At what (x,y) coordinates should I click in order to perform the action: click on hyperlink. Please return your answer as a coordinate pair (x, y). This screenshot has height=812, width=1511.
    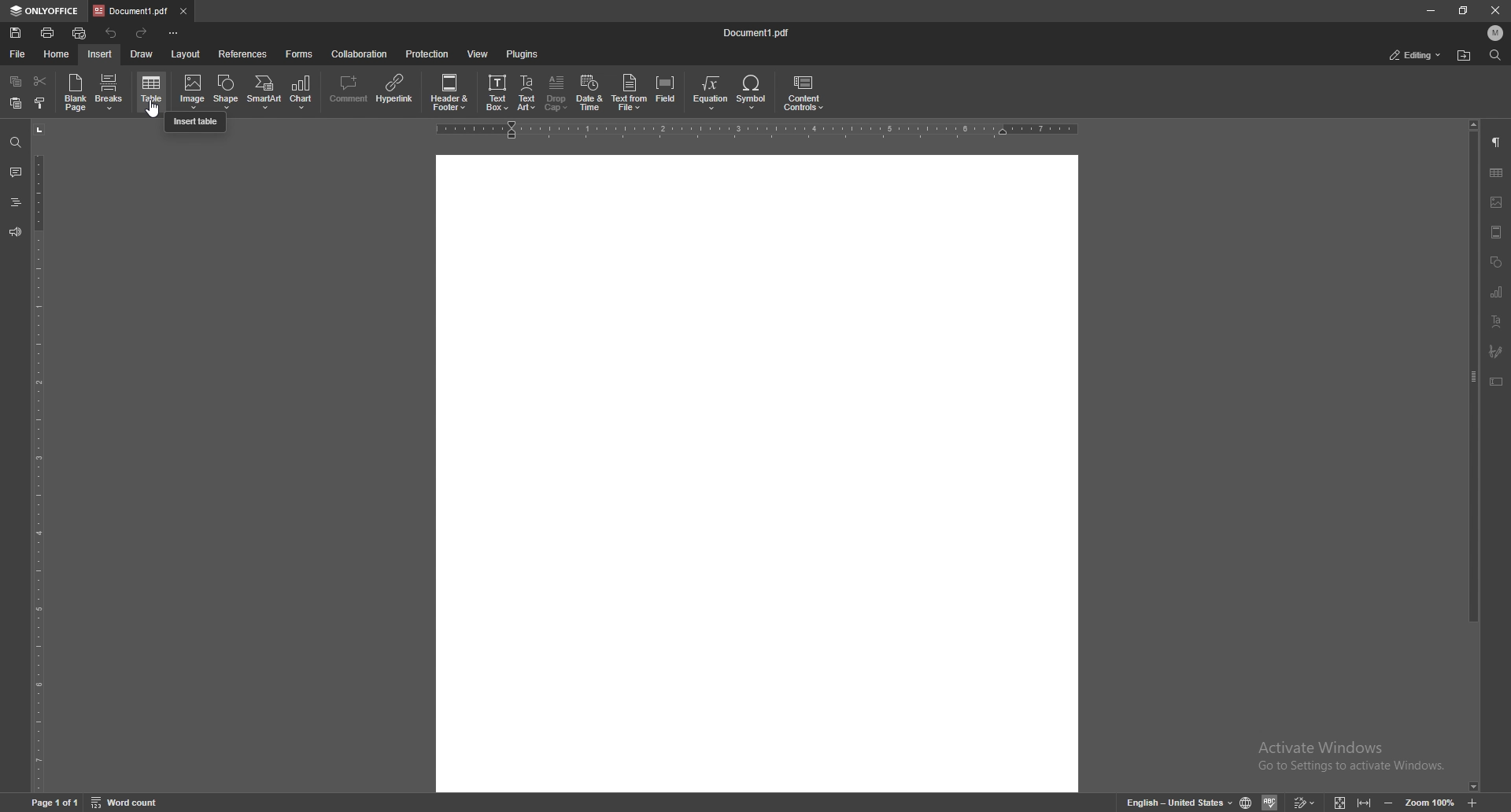
    Looking at the image, I should click on (395, 91).